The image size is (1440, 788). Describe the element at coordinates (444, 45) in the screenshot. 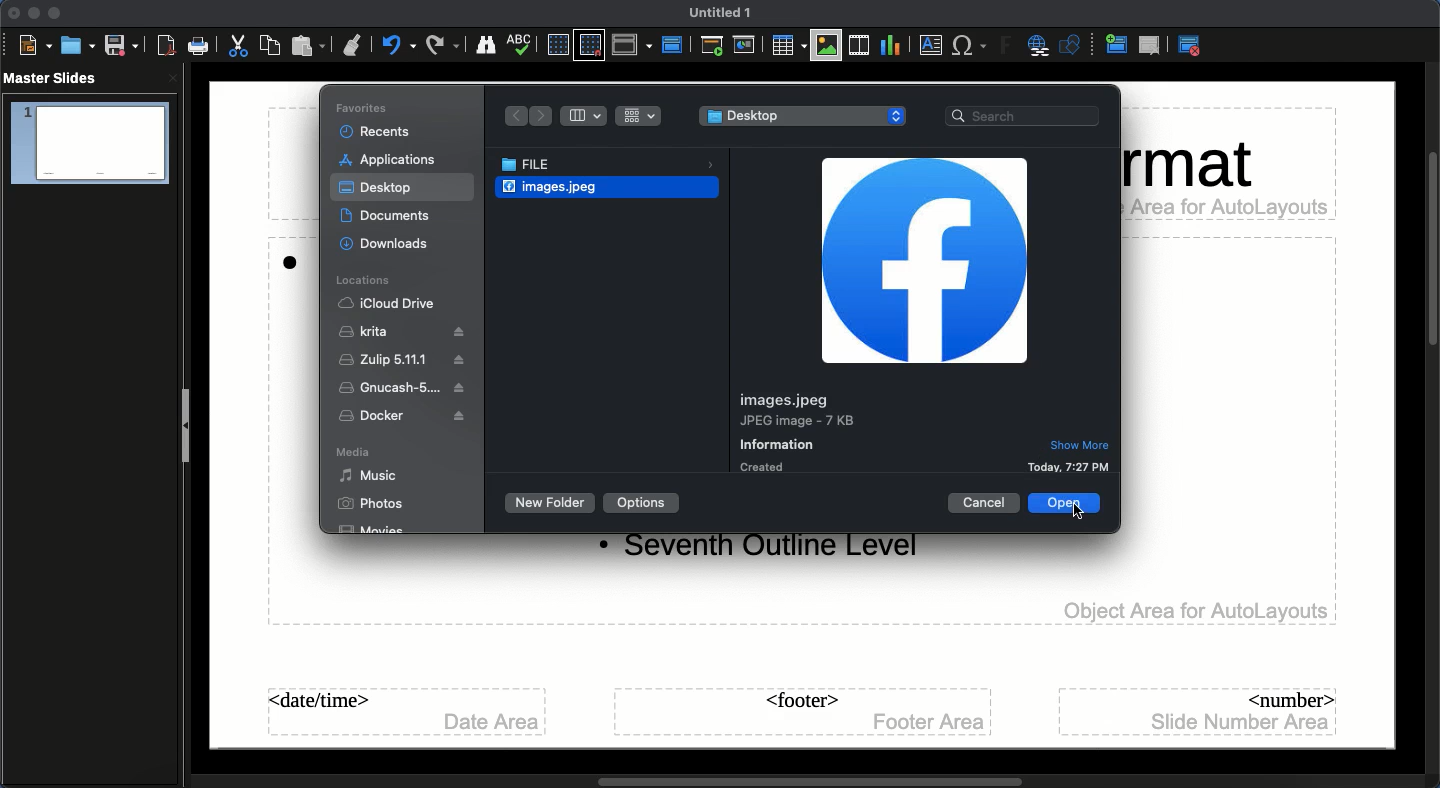

I see `Redo` at that location.